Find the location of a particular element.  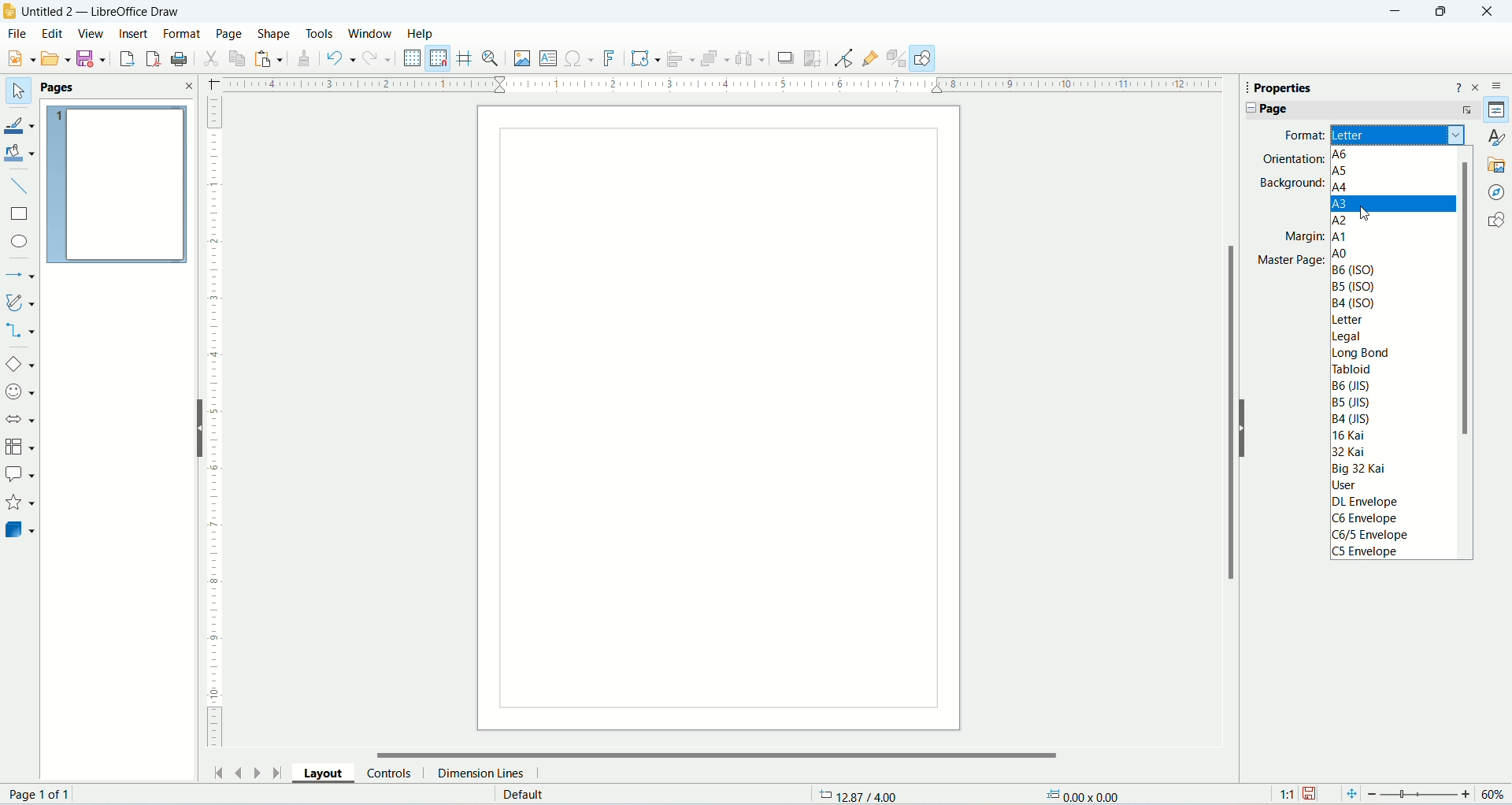

starts and banners is located at coordinates (19, 504).